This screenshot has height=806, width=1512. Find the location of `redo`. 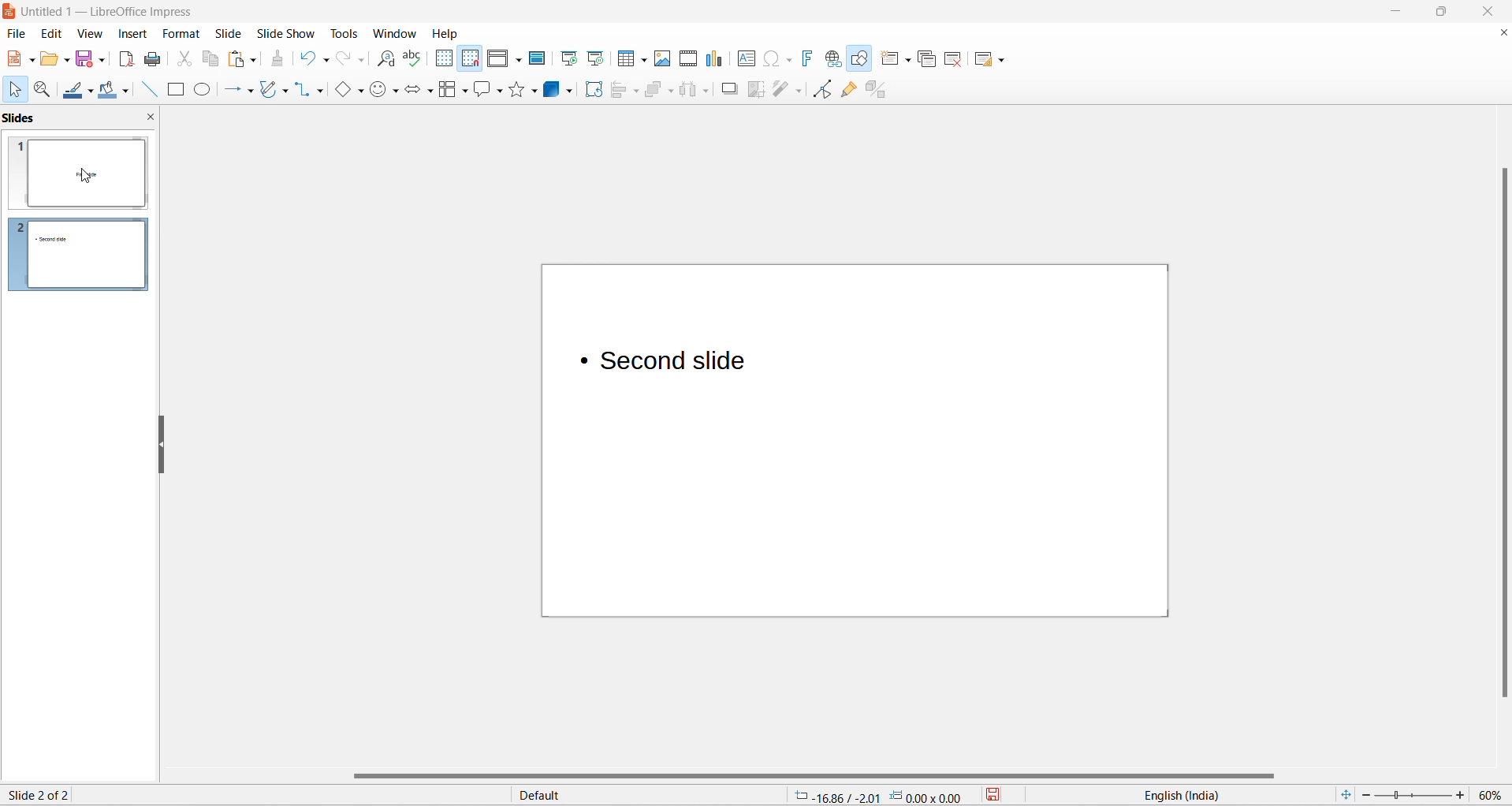

redo is located at coordinates (344, 58).